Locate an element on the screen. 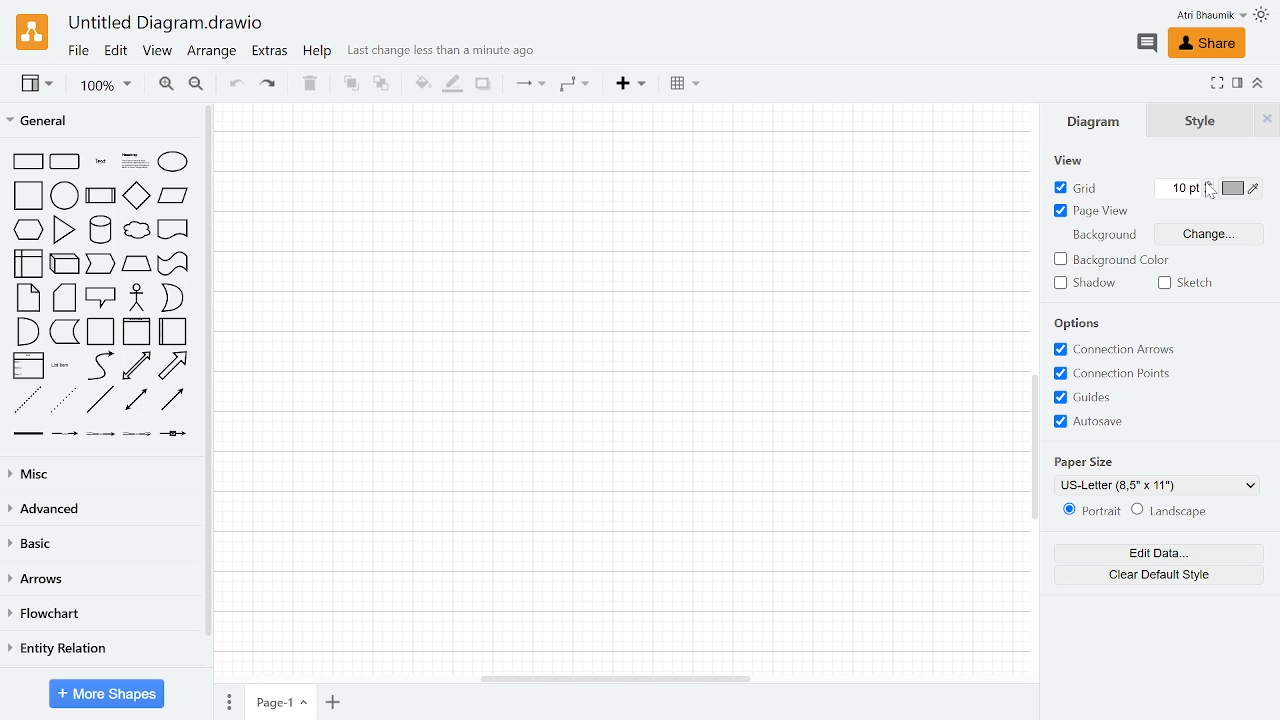 This screenshot has width=1280, height=720. Fill color is located at coordinates (420, 84).